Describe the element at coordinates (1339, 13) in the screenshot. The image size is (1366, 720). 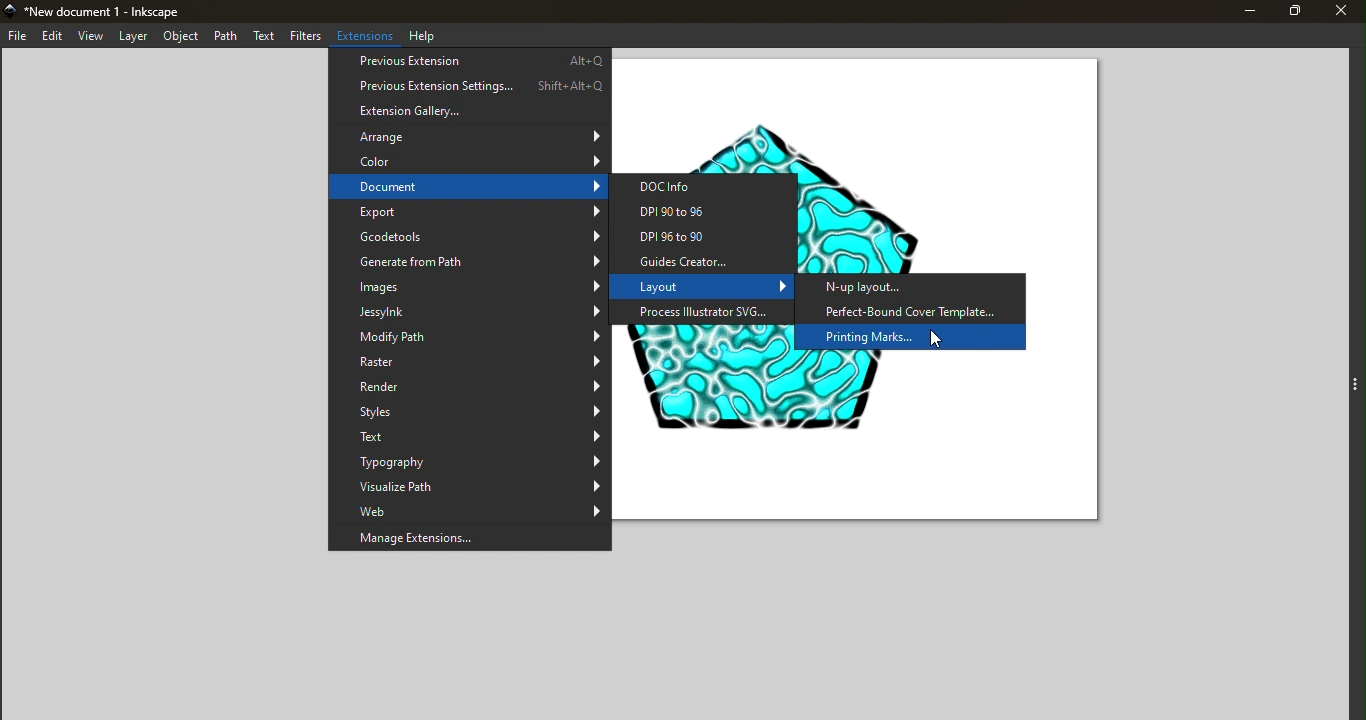
I see `Close` at that location.